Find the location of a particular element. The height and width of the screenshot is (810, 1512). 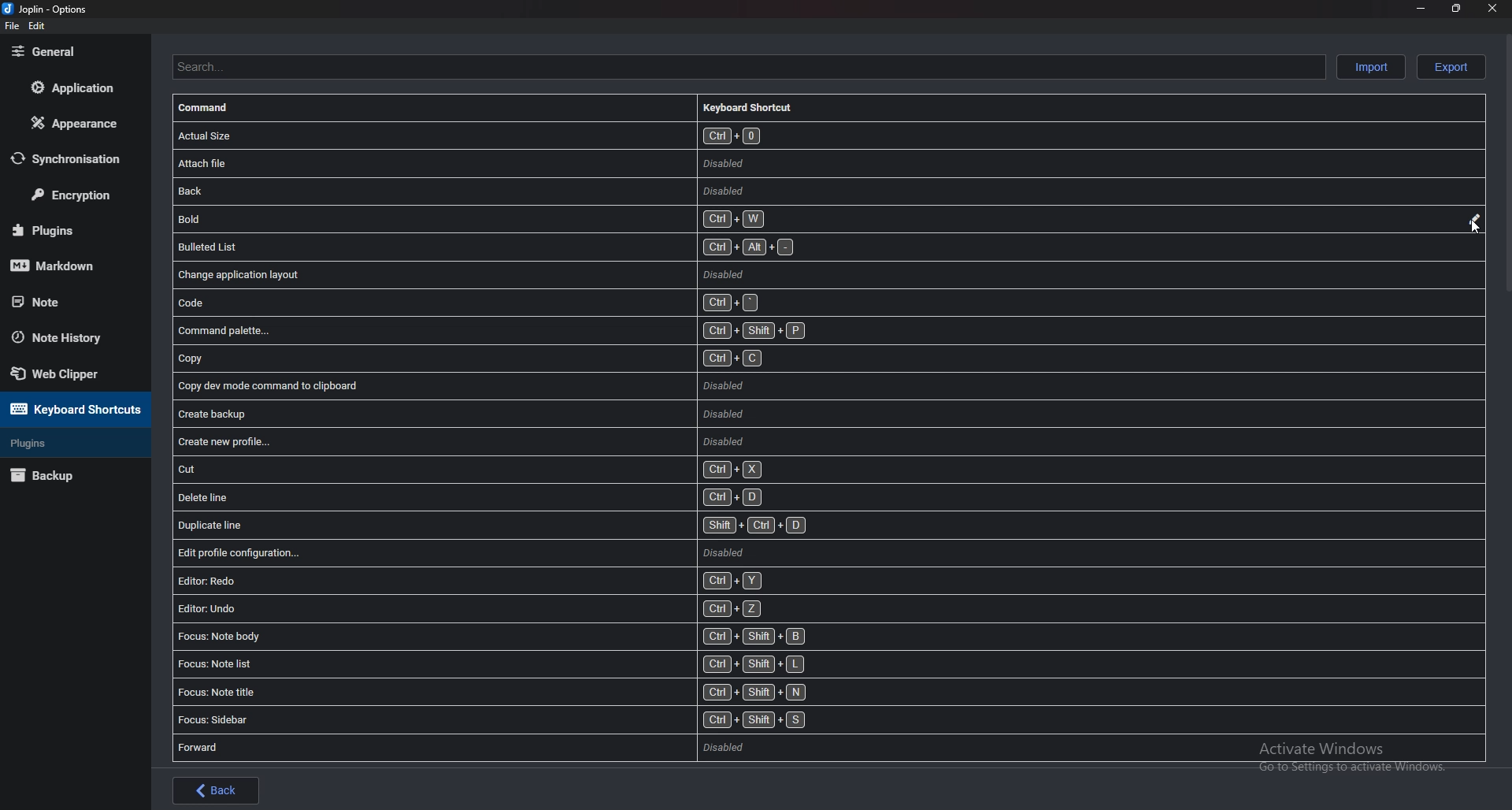

File is located at coordinates (12, 26).